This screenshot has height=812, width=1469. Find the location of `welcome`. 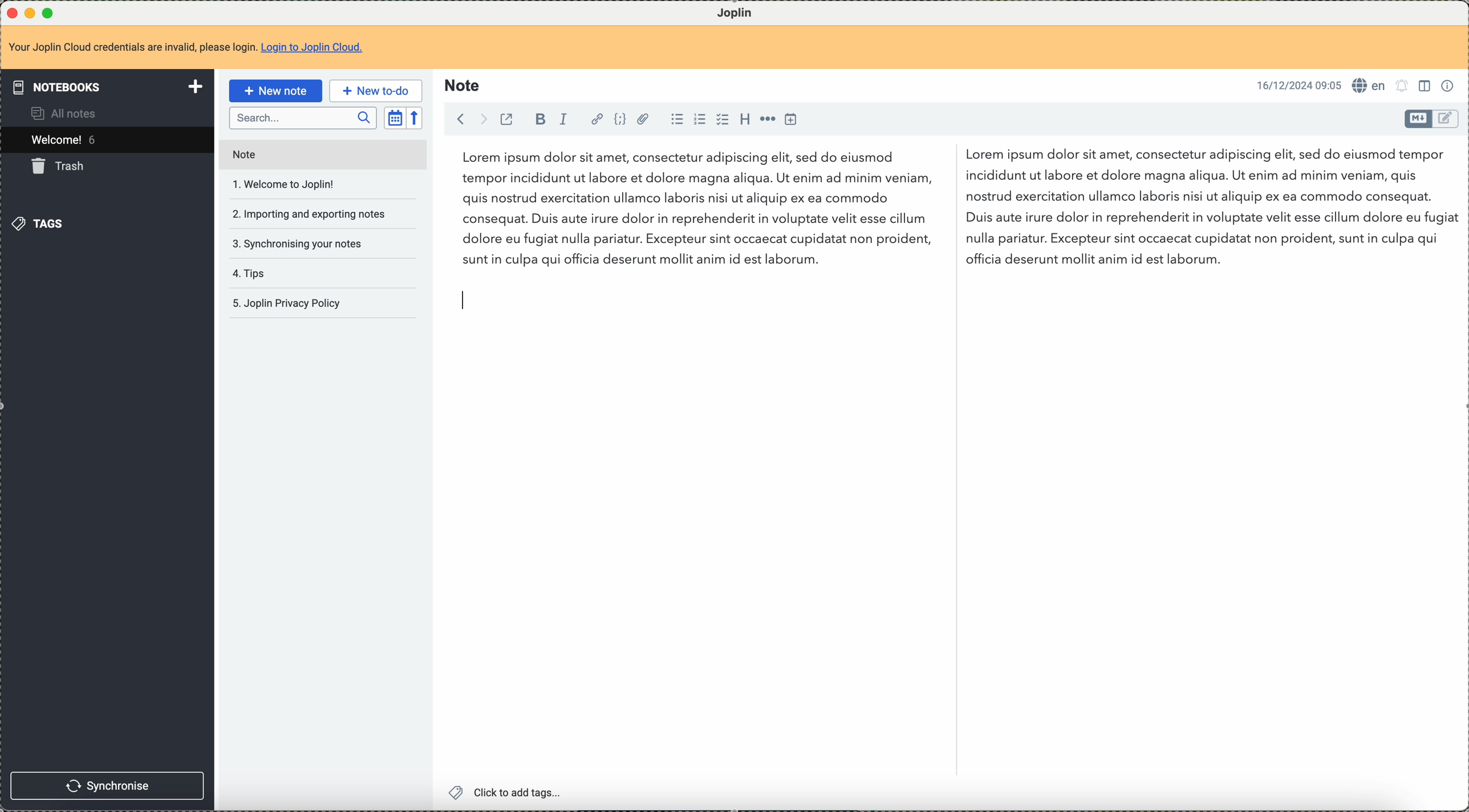

welcome is located at coordinates (105, 140).